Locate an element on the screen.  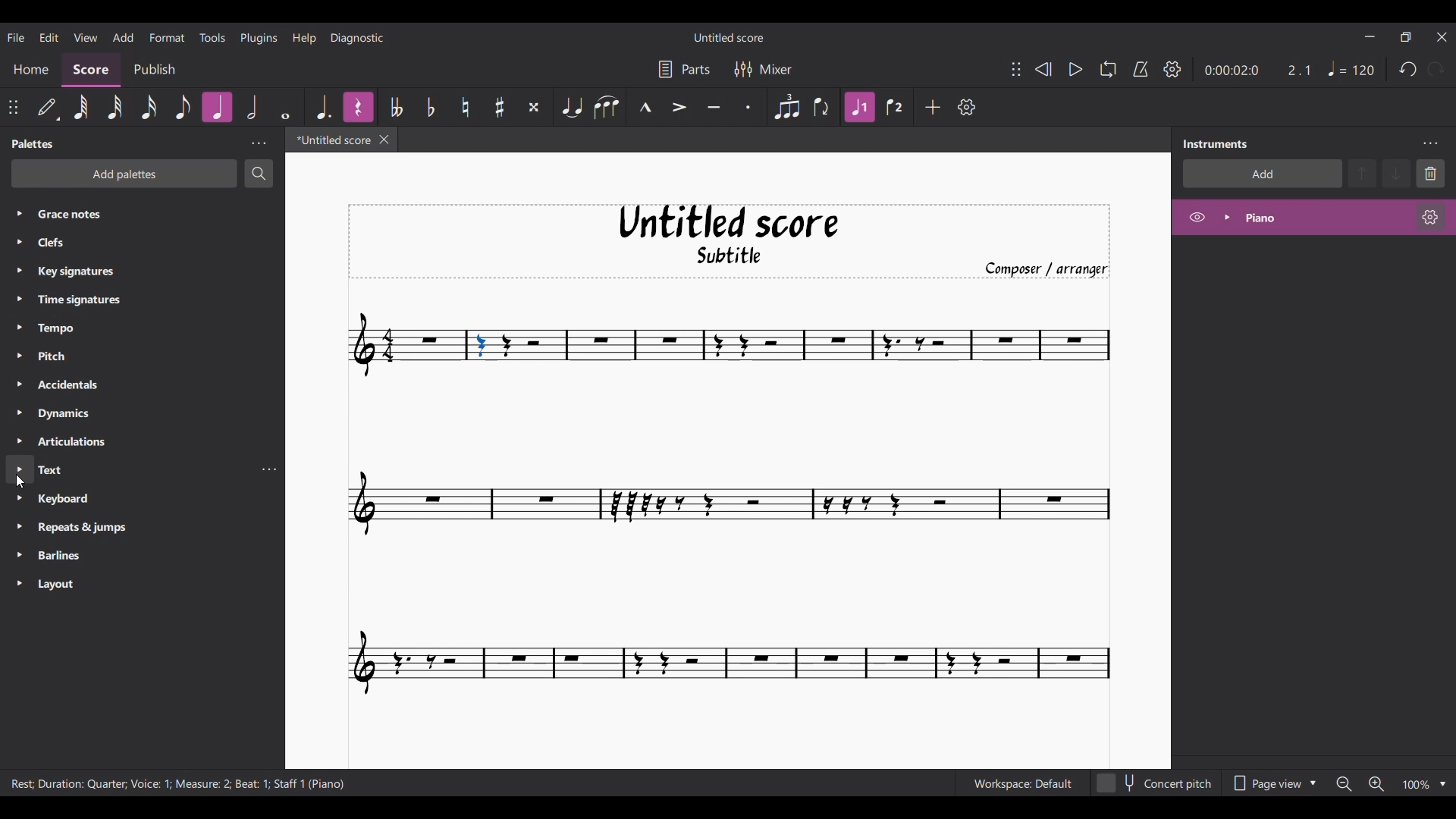
Current selection is located at coordinates (481, 345).